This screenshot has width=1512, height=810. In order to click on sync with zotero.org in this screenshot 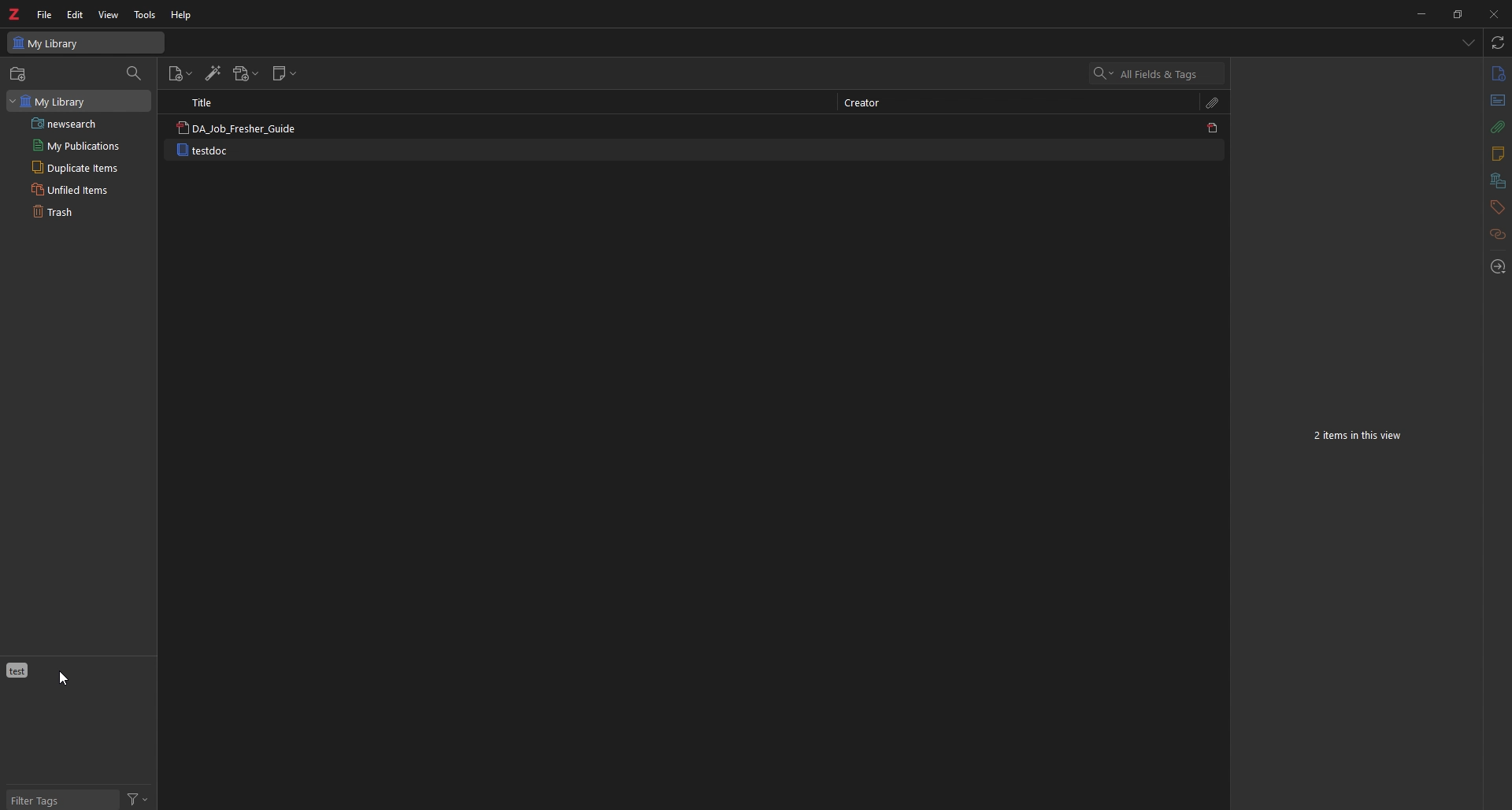, I will do `click(1499, 43)`.